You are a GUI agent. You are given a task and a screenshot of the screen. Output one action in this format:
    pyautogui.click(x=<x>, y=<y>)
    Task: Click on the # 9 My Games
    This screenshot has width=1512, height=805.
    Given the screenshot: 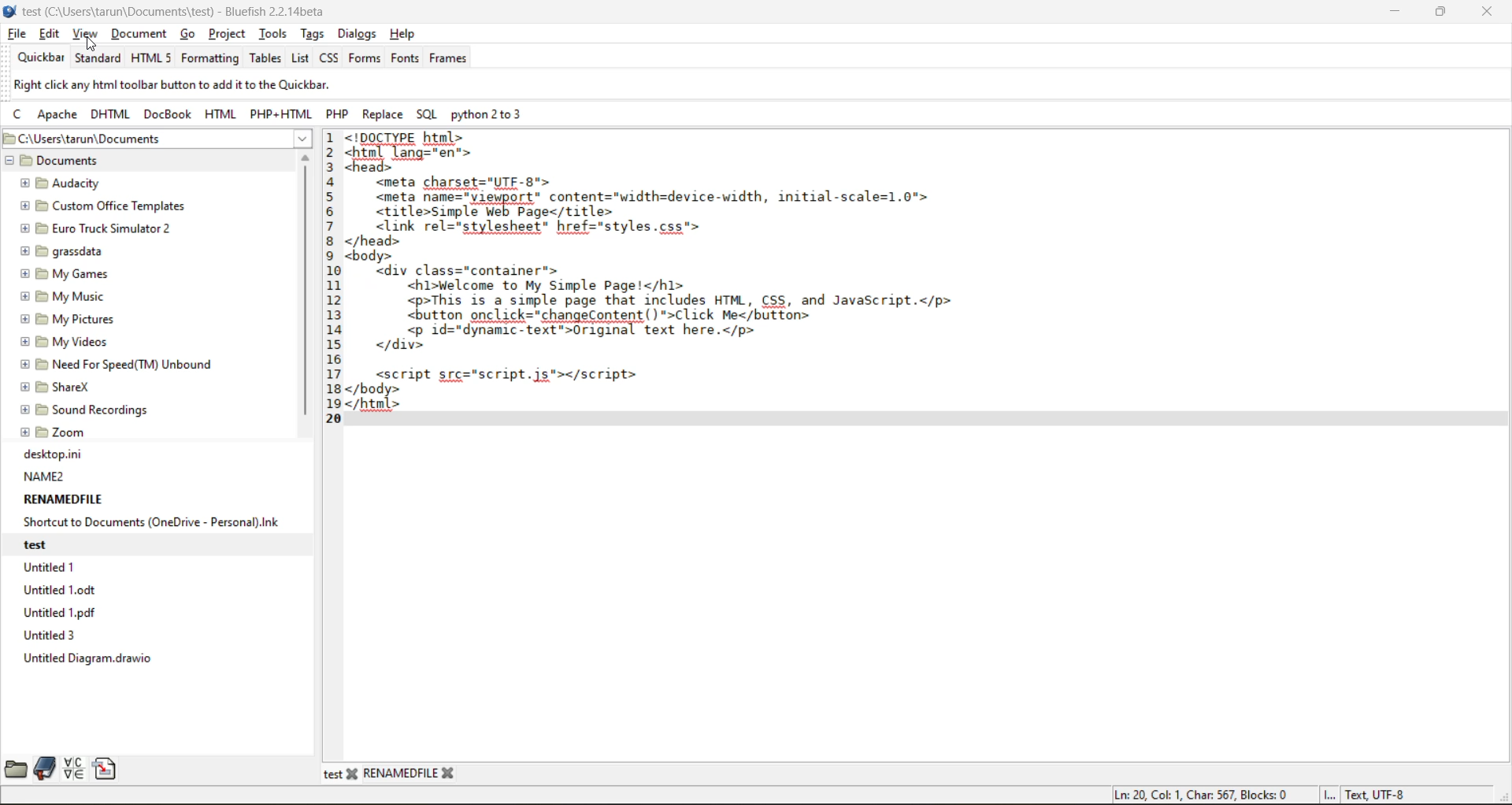 What is the action you would take?
    pyautogui.click(x=64, y=274)
    